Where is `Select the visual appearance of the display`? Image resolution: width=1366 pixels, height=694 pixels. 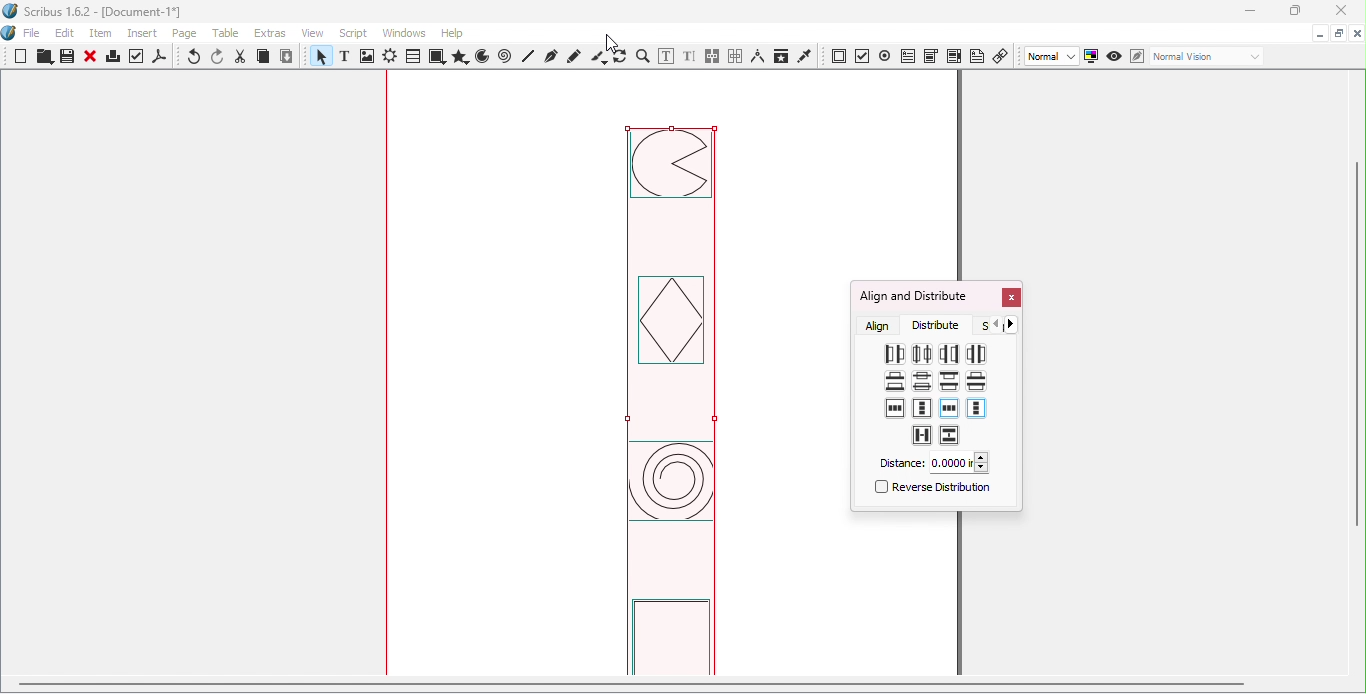 Select the visual appearance of the display is located at coordinates (1206, 57).